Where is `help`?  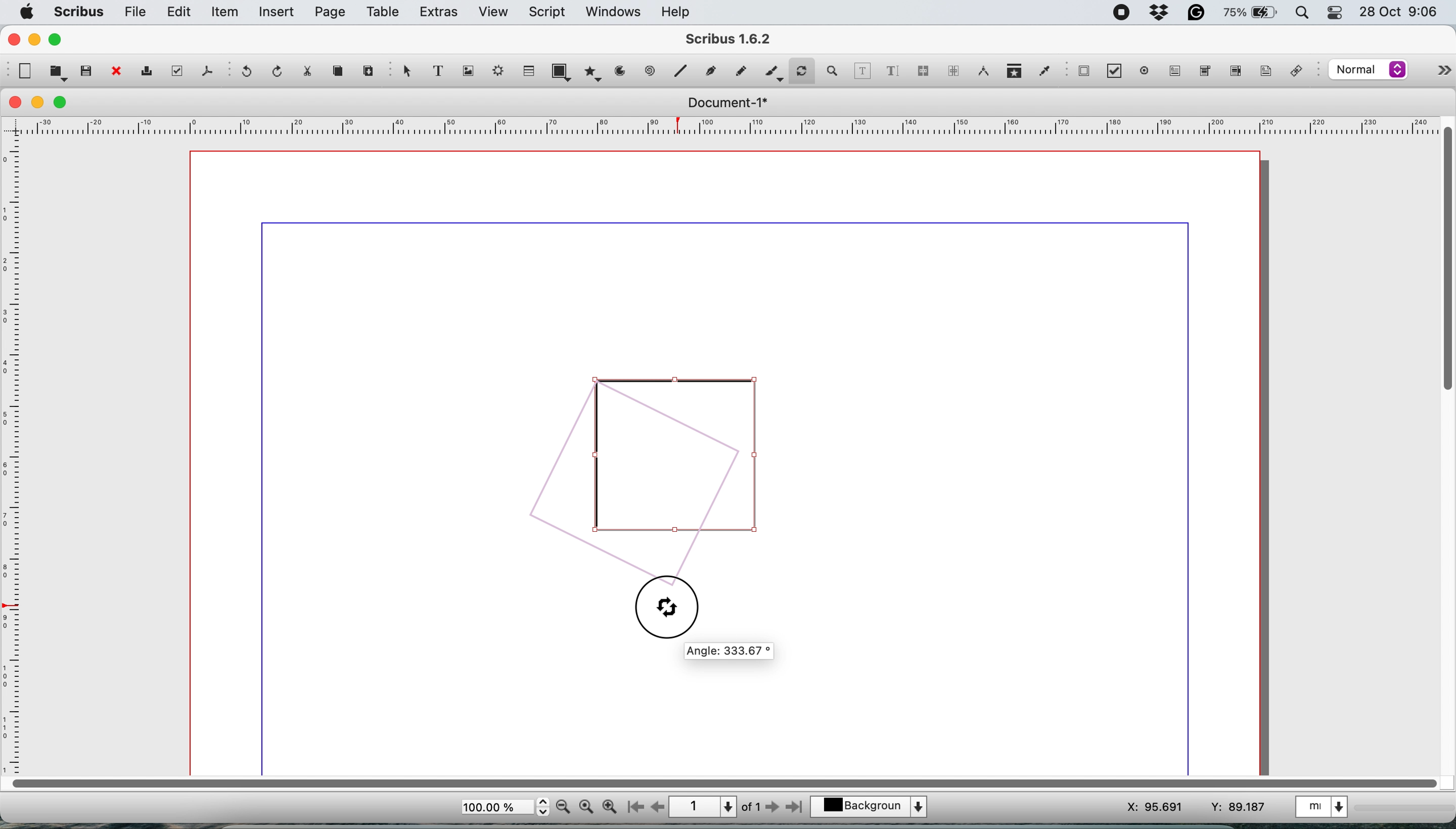
help is located at coordinates (680, 11).